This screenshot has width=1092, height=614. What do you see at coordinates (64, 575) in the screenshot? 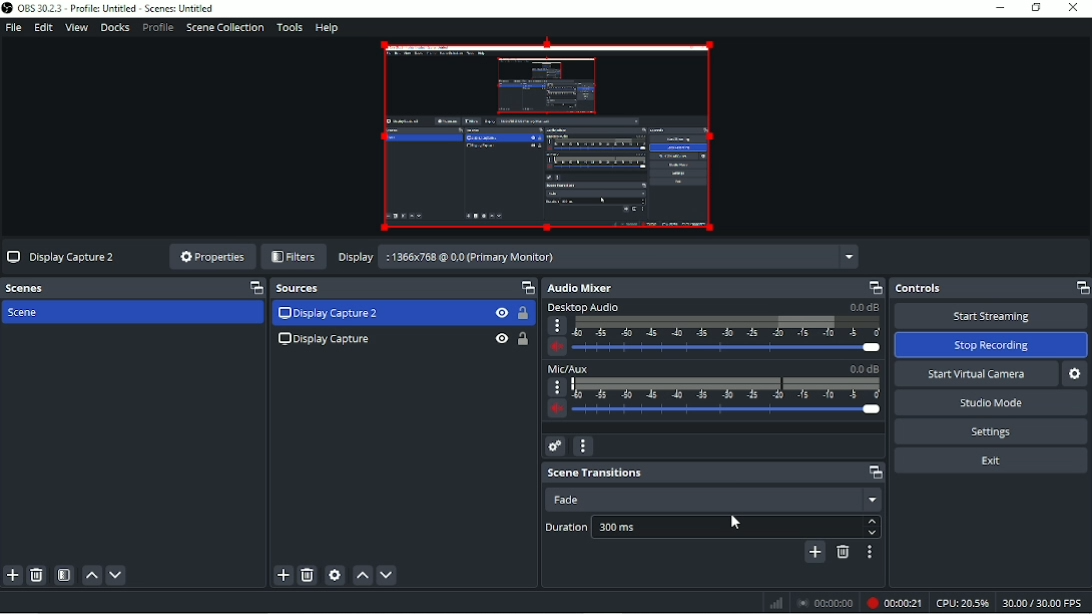
I see `Open scene filters` at bounding box center [64, 575].